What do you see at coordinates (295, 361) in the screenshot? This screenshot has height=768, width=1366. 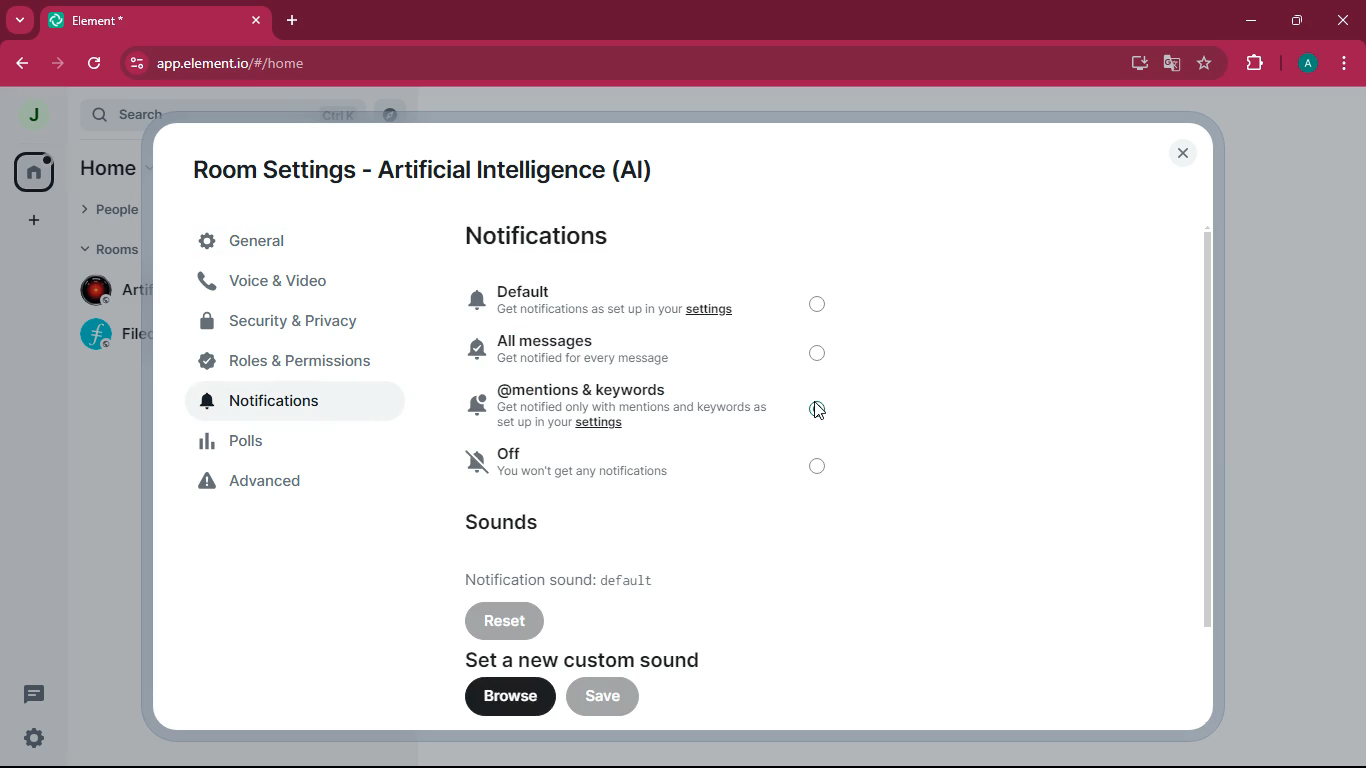 I see `roles and premissions` at bounding box center [295, 361].